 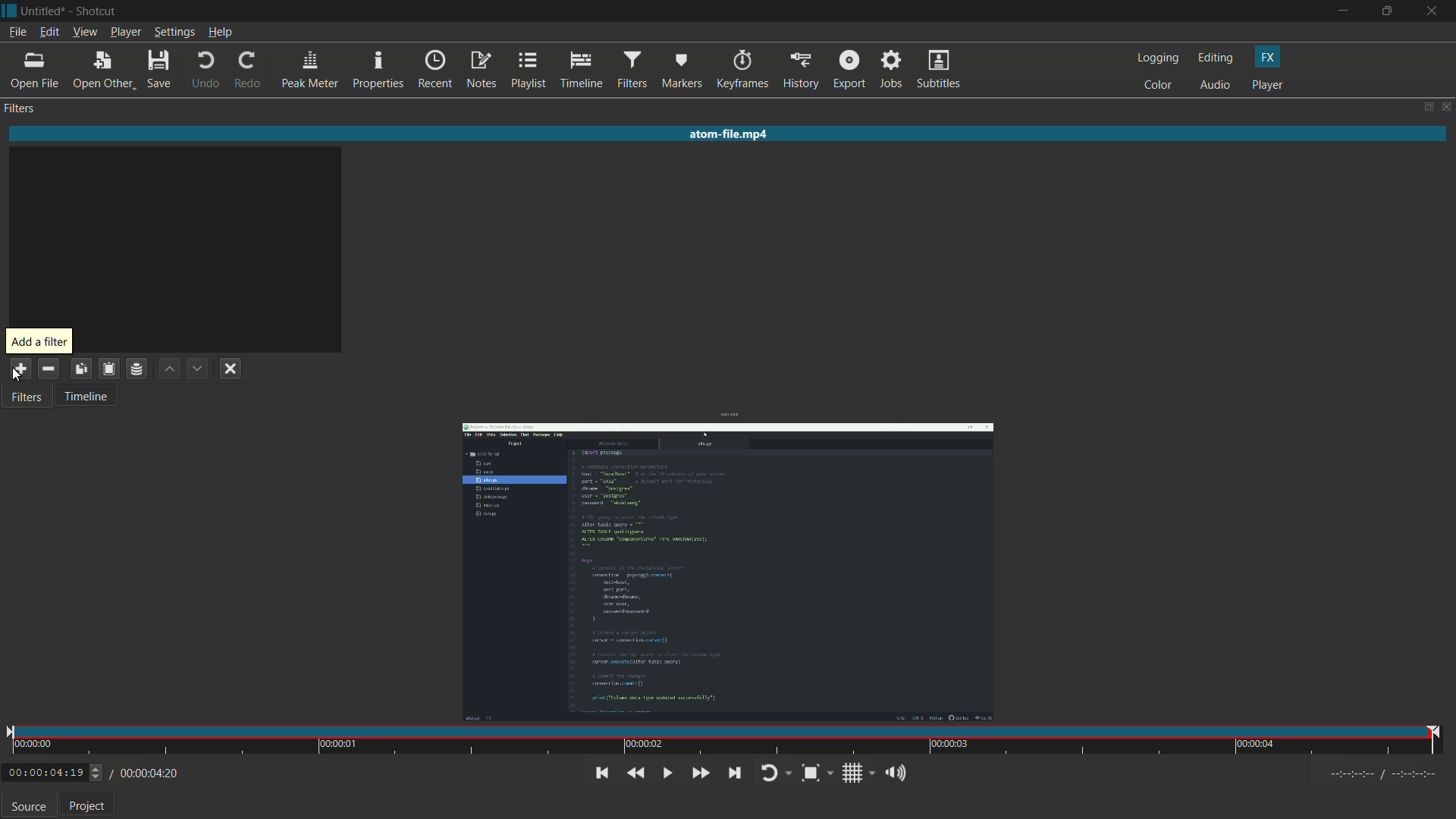 I want to click on undo, so click(x=203, y=71).